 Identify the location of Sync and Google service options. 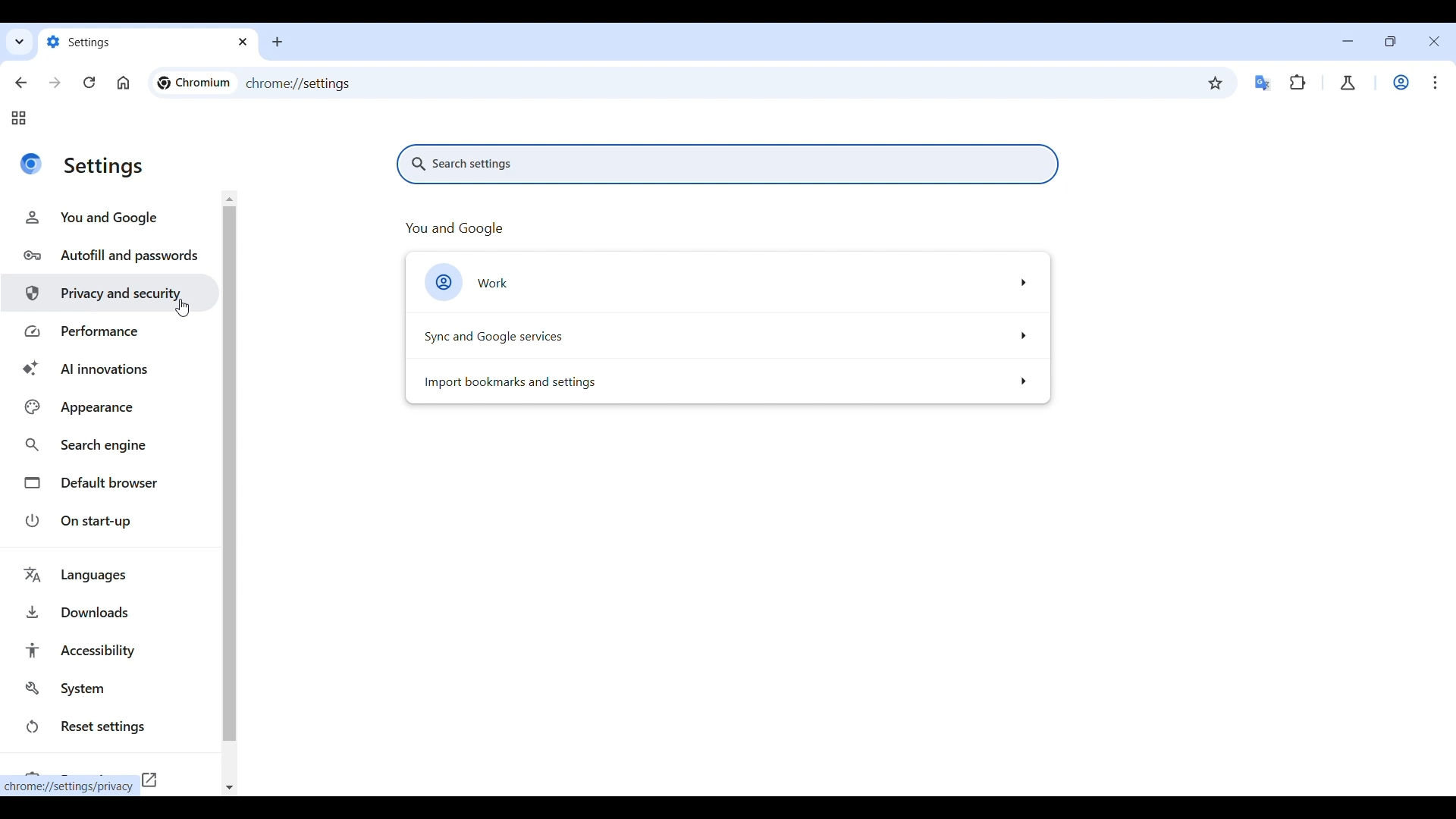
(726, 337).